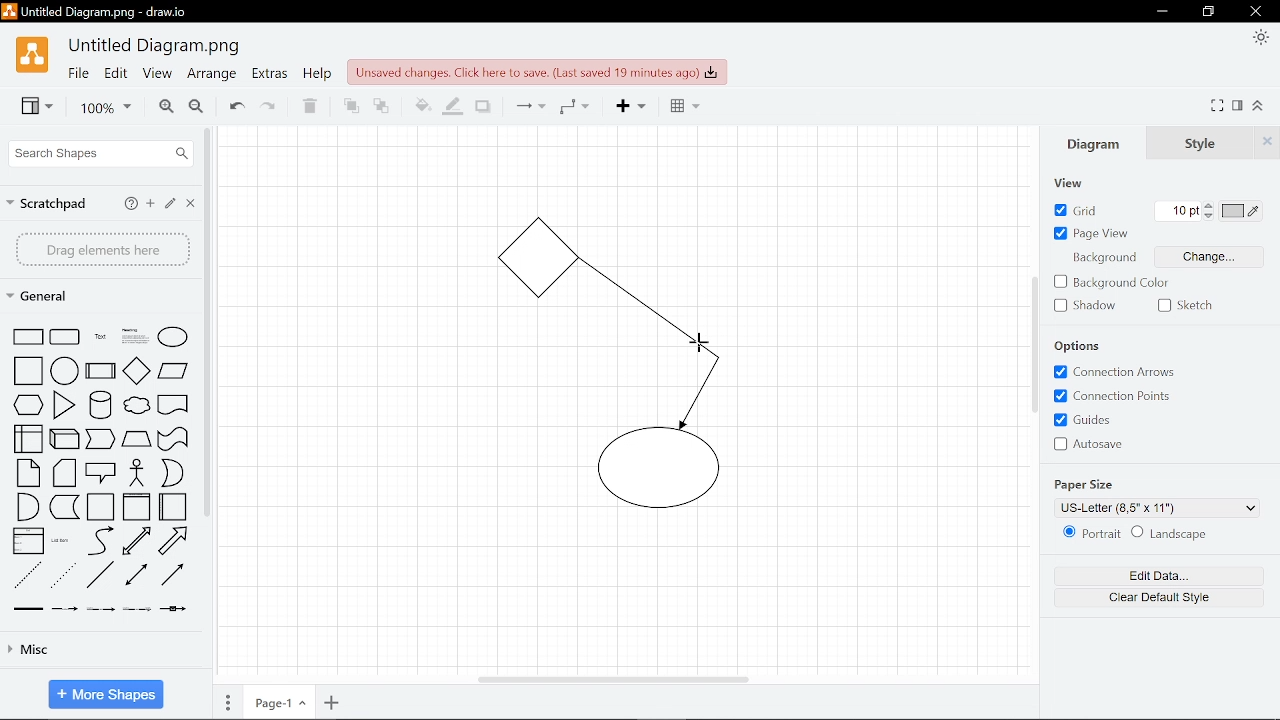  What do you see at coordinates (1194, 306) in the screenshot?
I see `Sketch` at bounding box center [1194, 306].